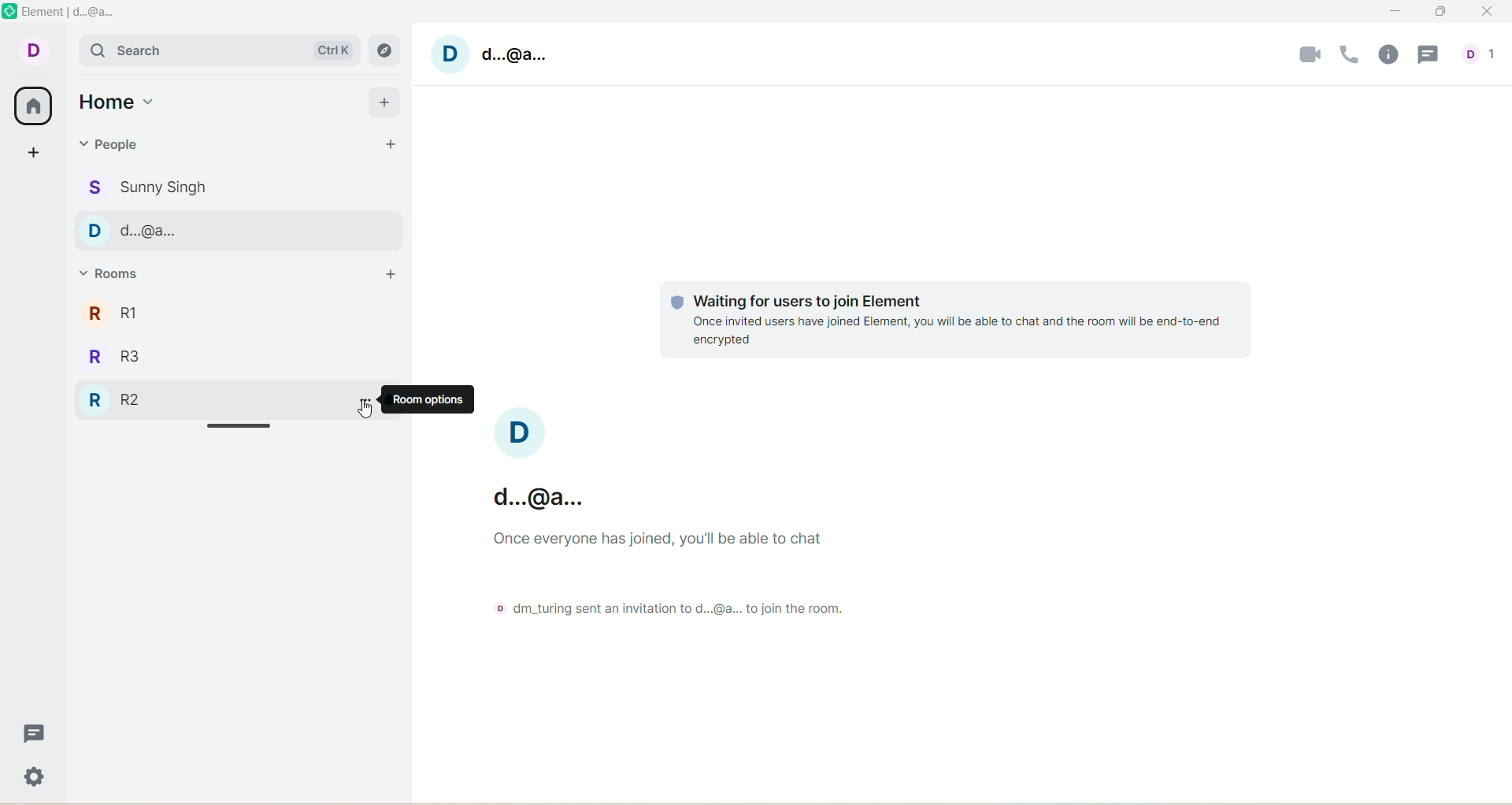  I want to click on threads, so click(35, 735).